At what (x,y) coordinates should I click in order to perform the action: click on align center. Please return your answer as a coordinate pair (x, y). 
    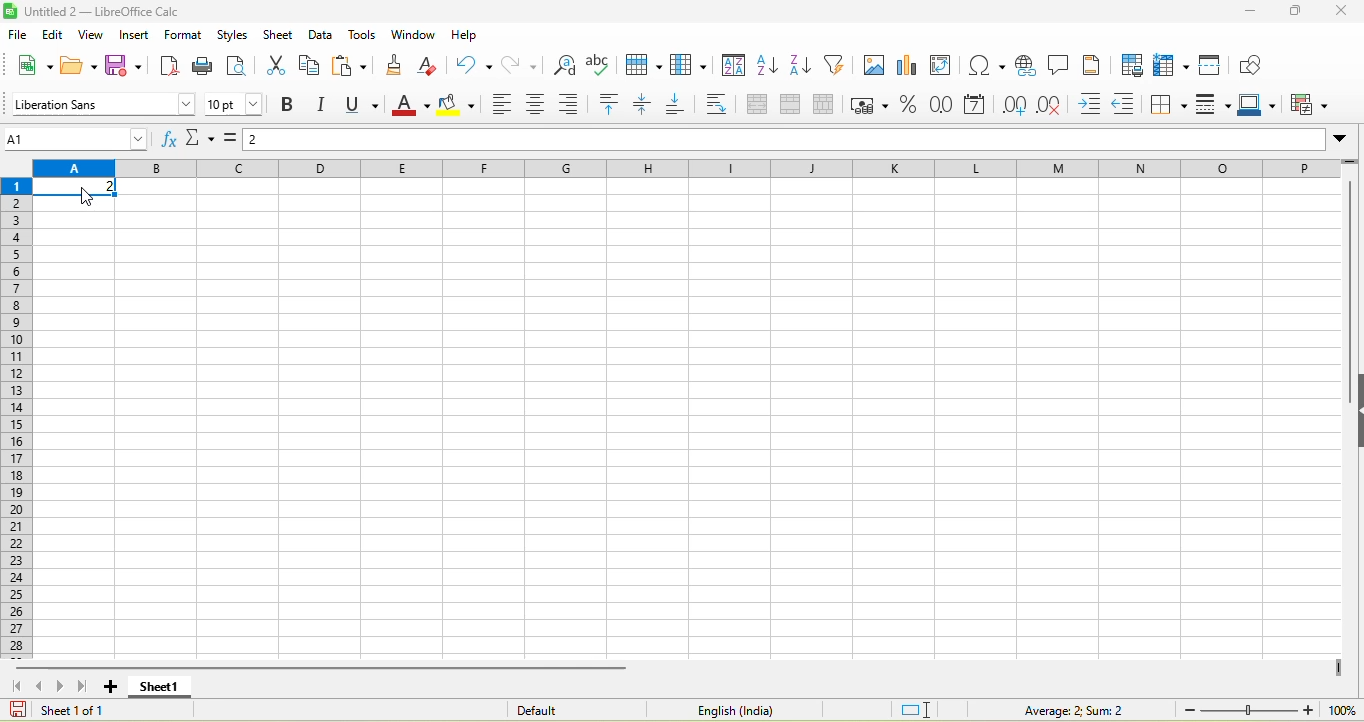
    Looking at the image, I should click on (543, 106).